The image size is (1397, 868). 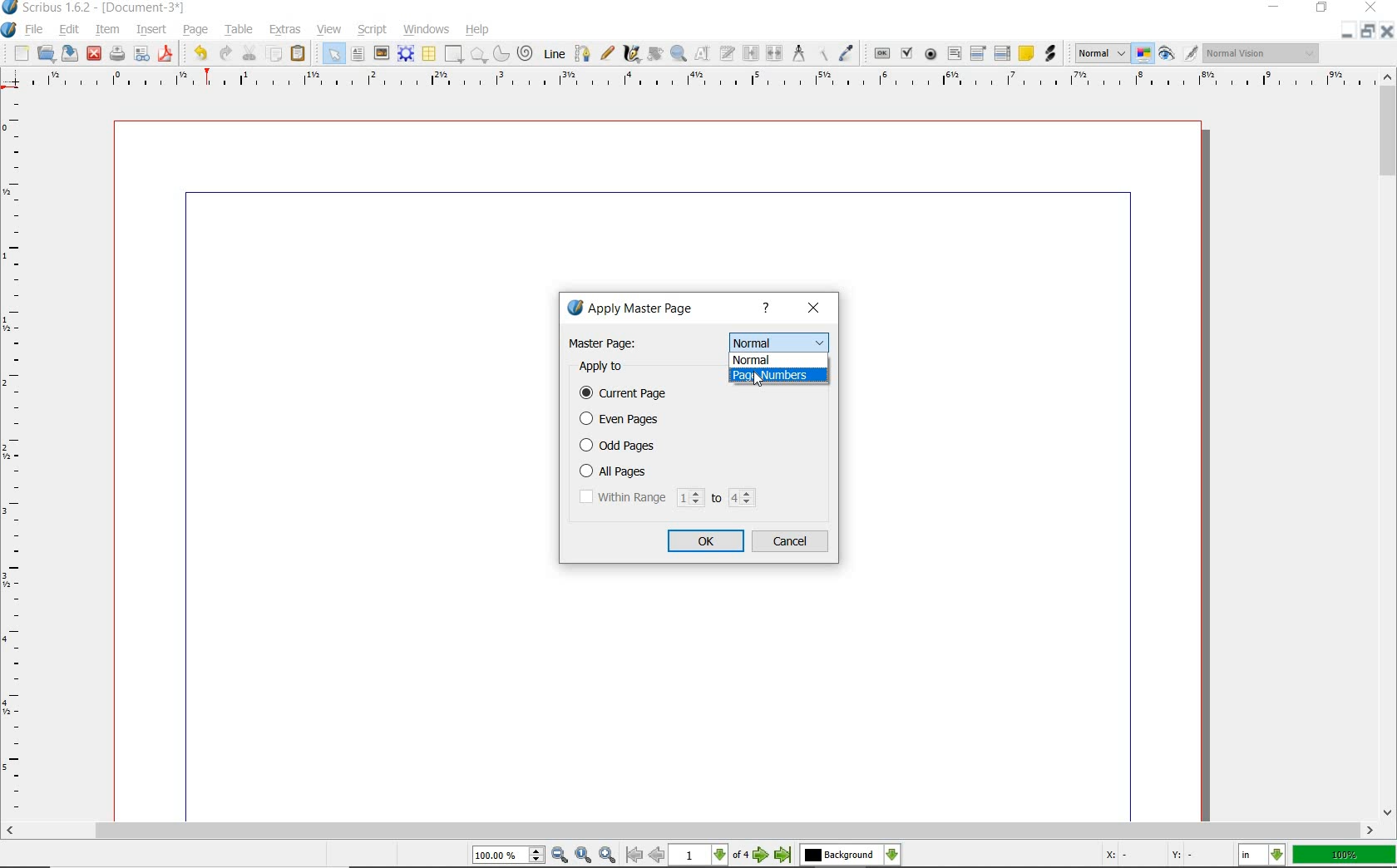 I want to click on text frame, so click(x=357, y=55).